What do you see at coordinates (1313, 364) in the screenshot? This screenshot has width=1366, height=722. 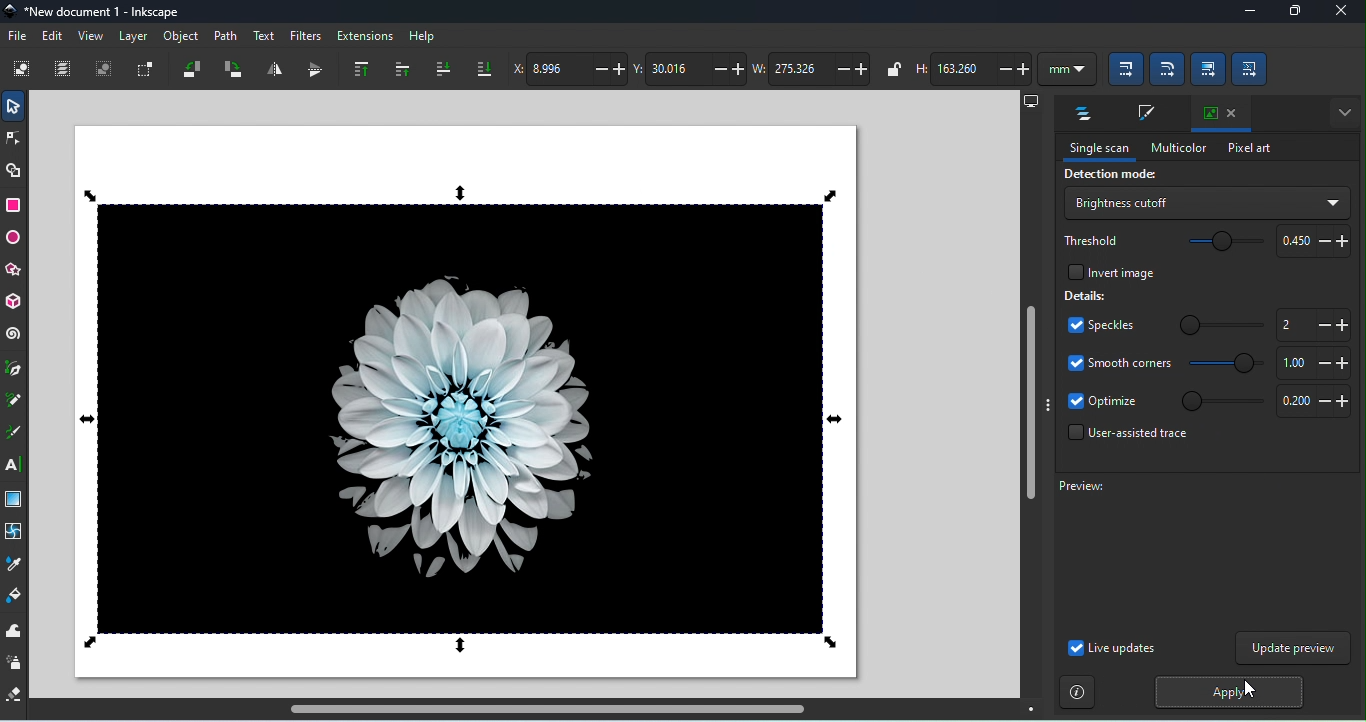 I see `Smooth corners` at bounding box center [1313, 364].